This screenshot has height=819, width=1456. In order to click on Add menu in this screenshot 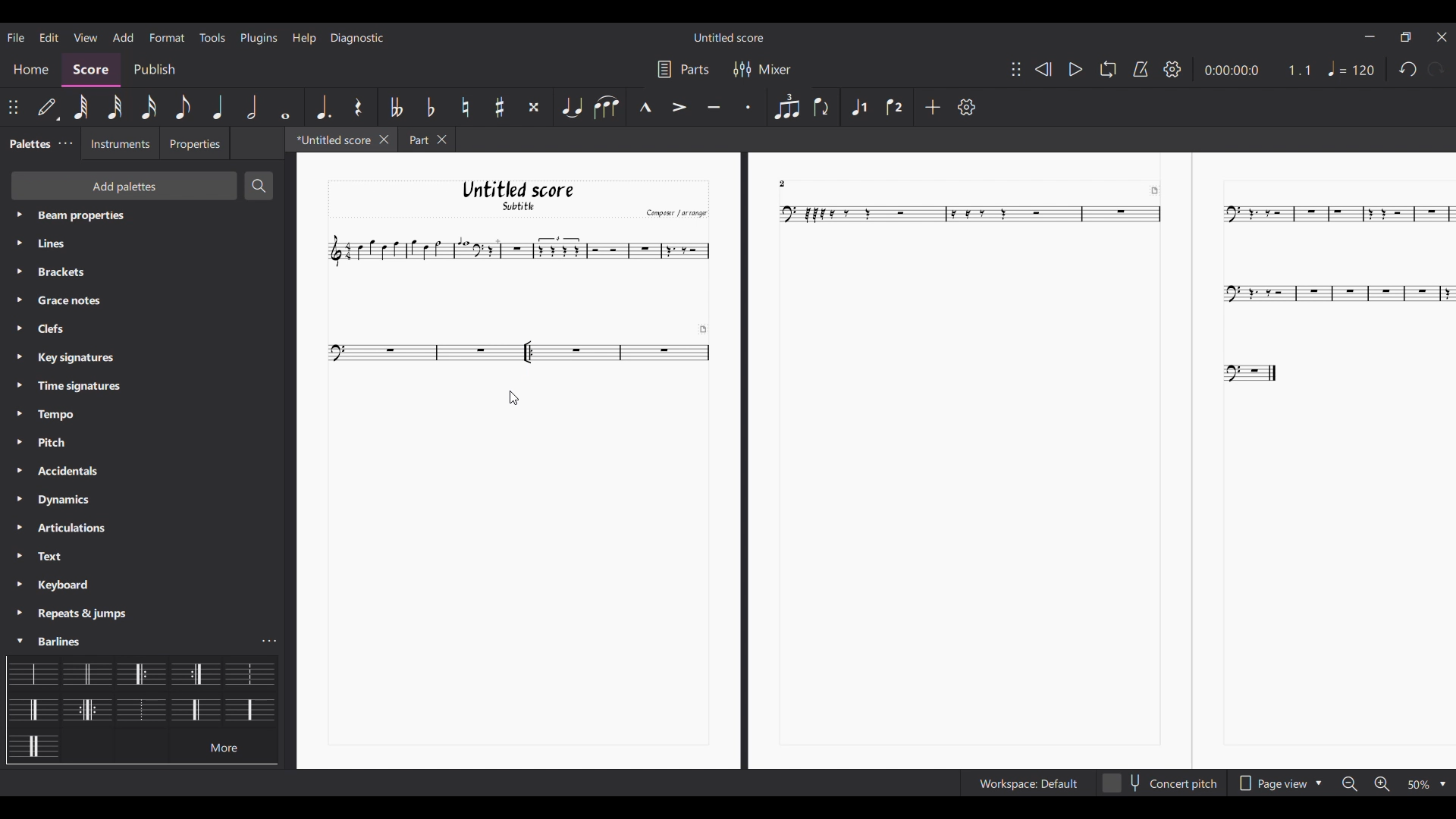, I will do `click(123, 37)`.